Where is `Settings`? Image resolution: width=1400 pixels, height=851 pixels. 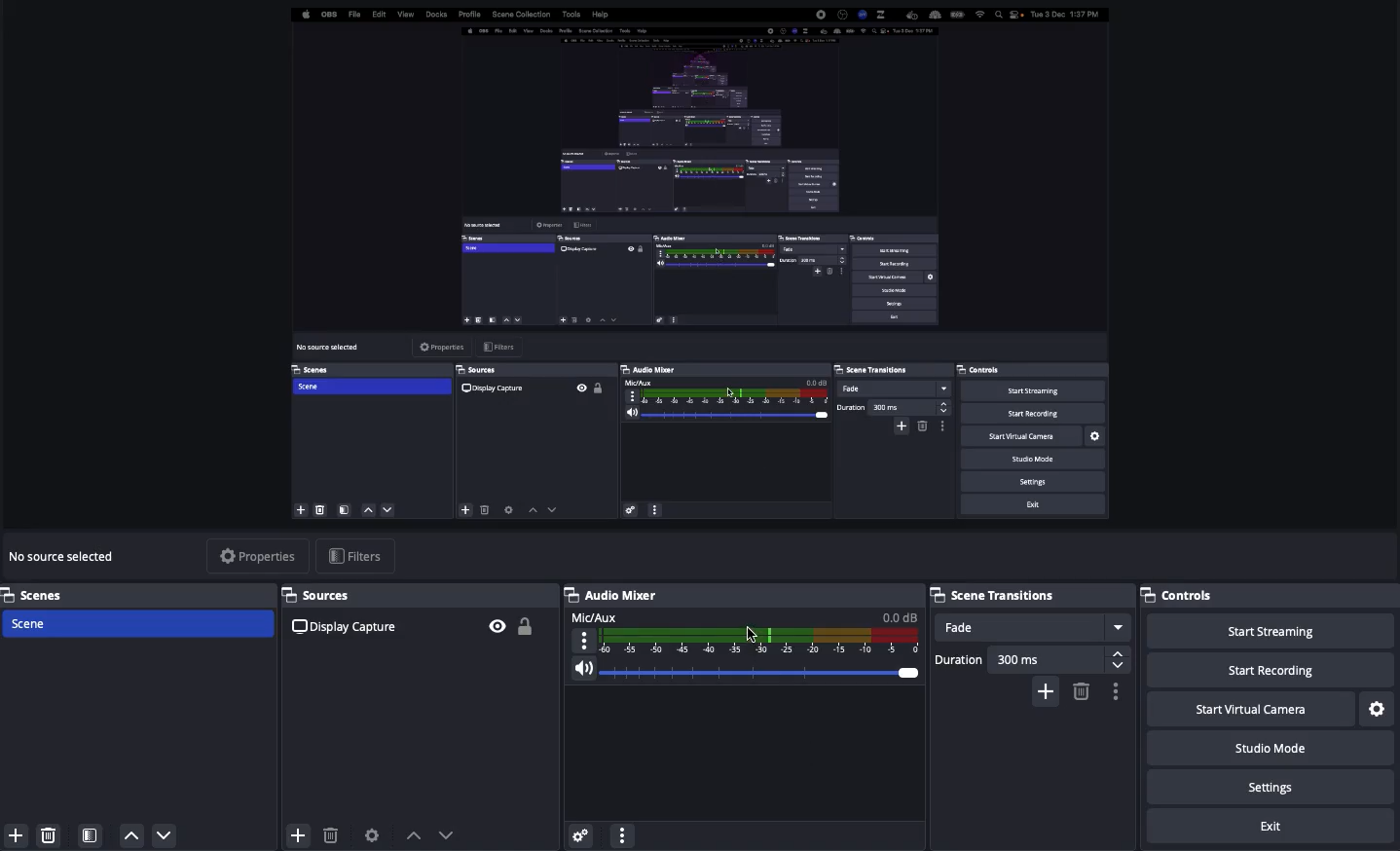
Settings is located at coordinates (579, 832).